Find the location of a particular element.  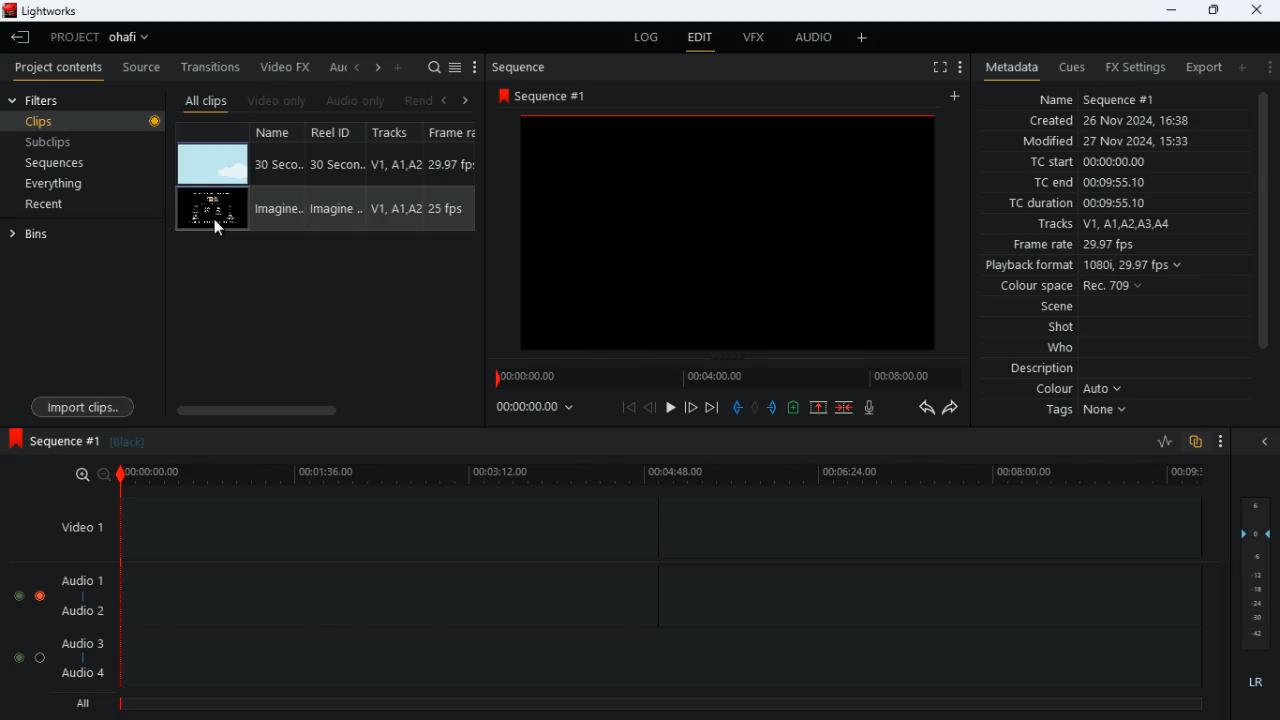

merge is located at coordinates (845, 406).